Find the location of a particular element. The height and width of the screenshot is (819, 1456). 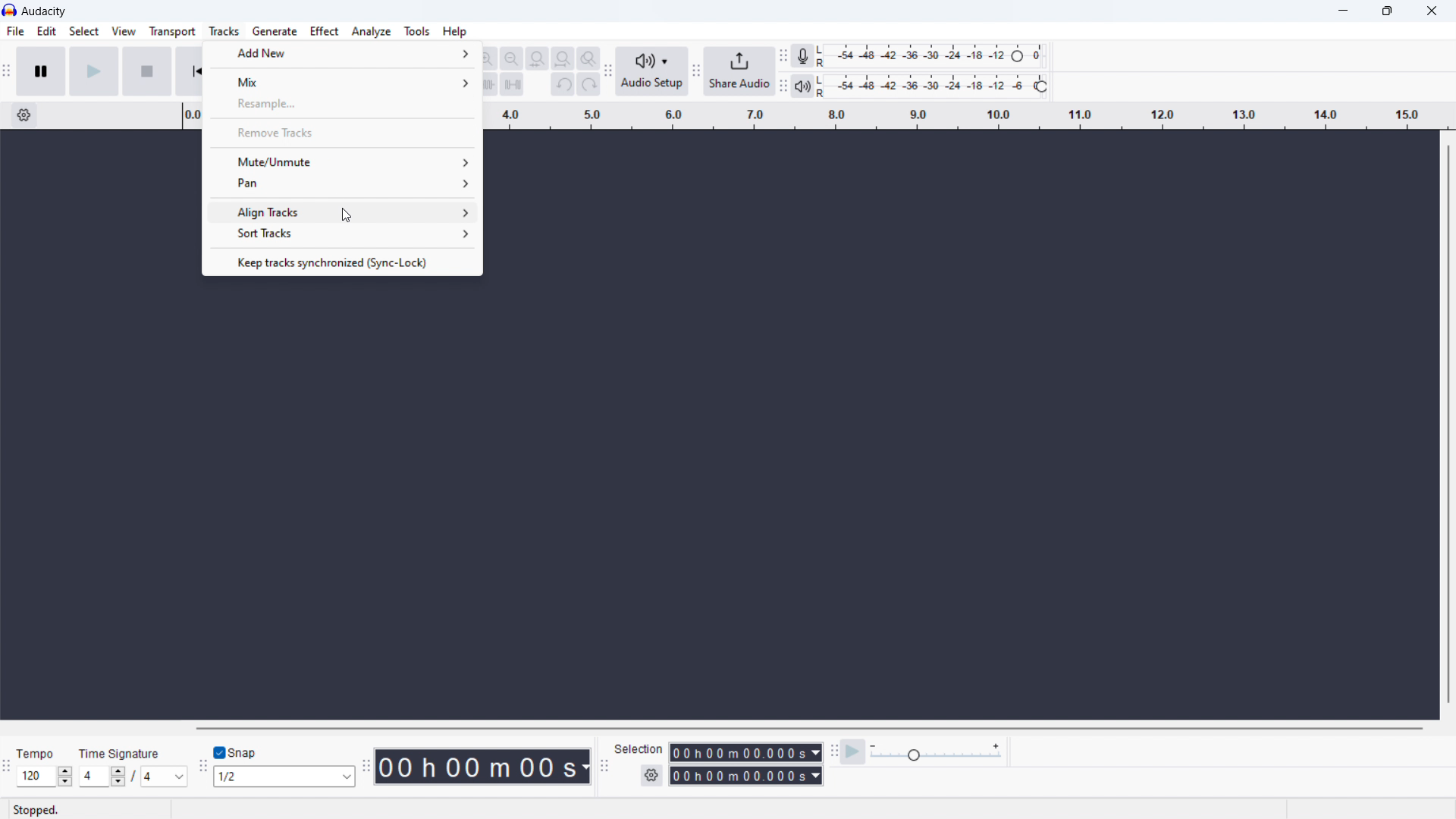

snapping toolbar is located at coordinates (201, 764).